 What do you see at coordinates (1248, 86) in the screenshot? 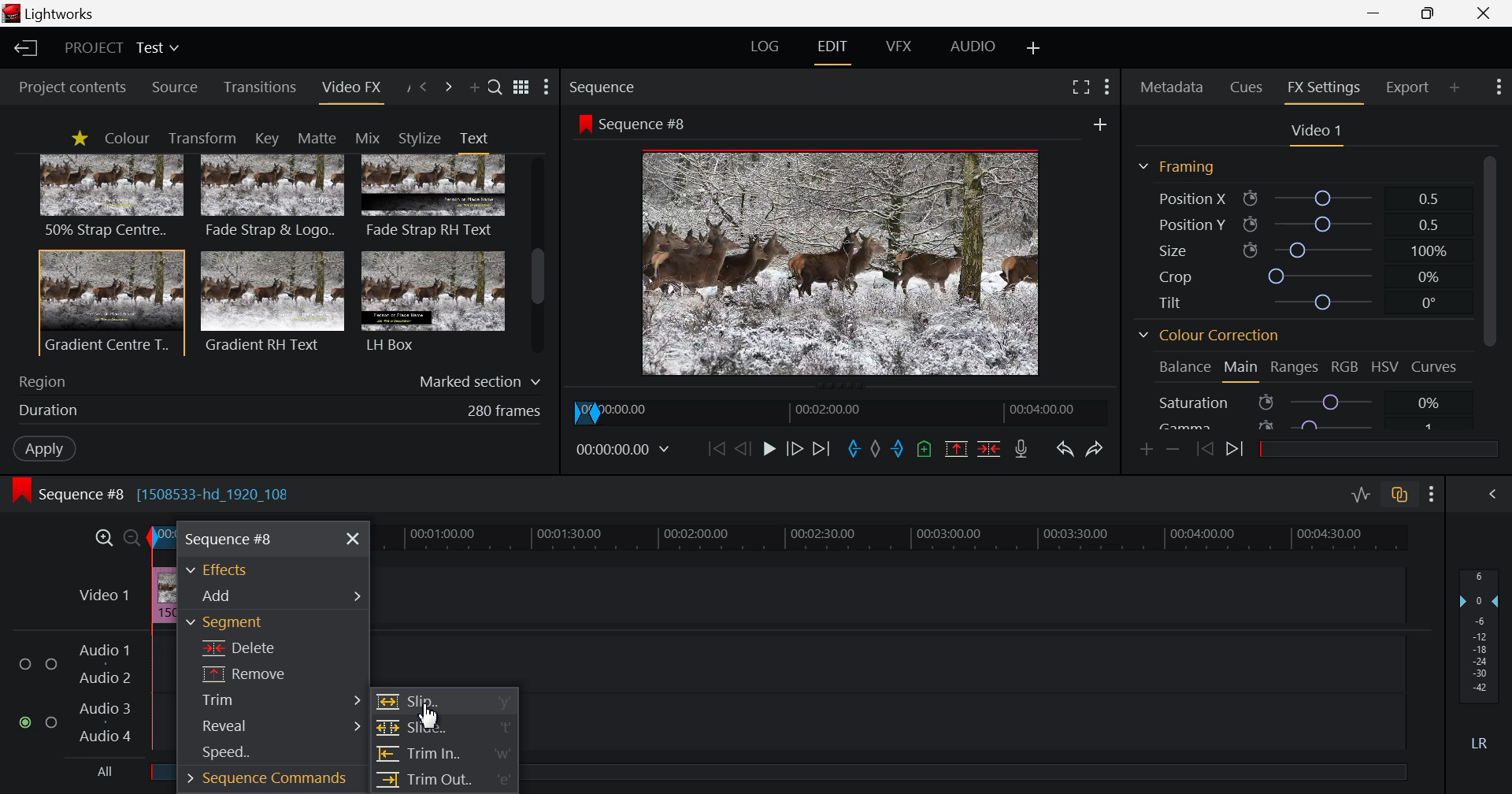
I see `Cues` at bounding box center [1248, 86].